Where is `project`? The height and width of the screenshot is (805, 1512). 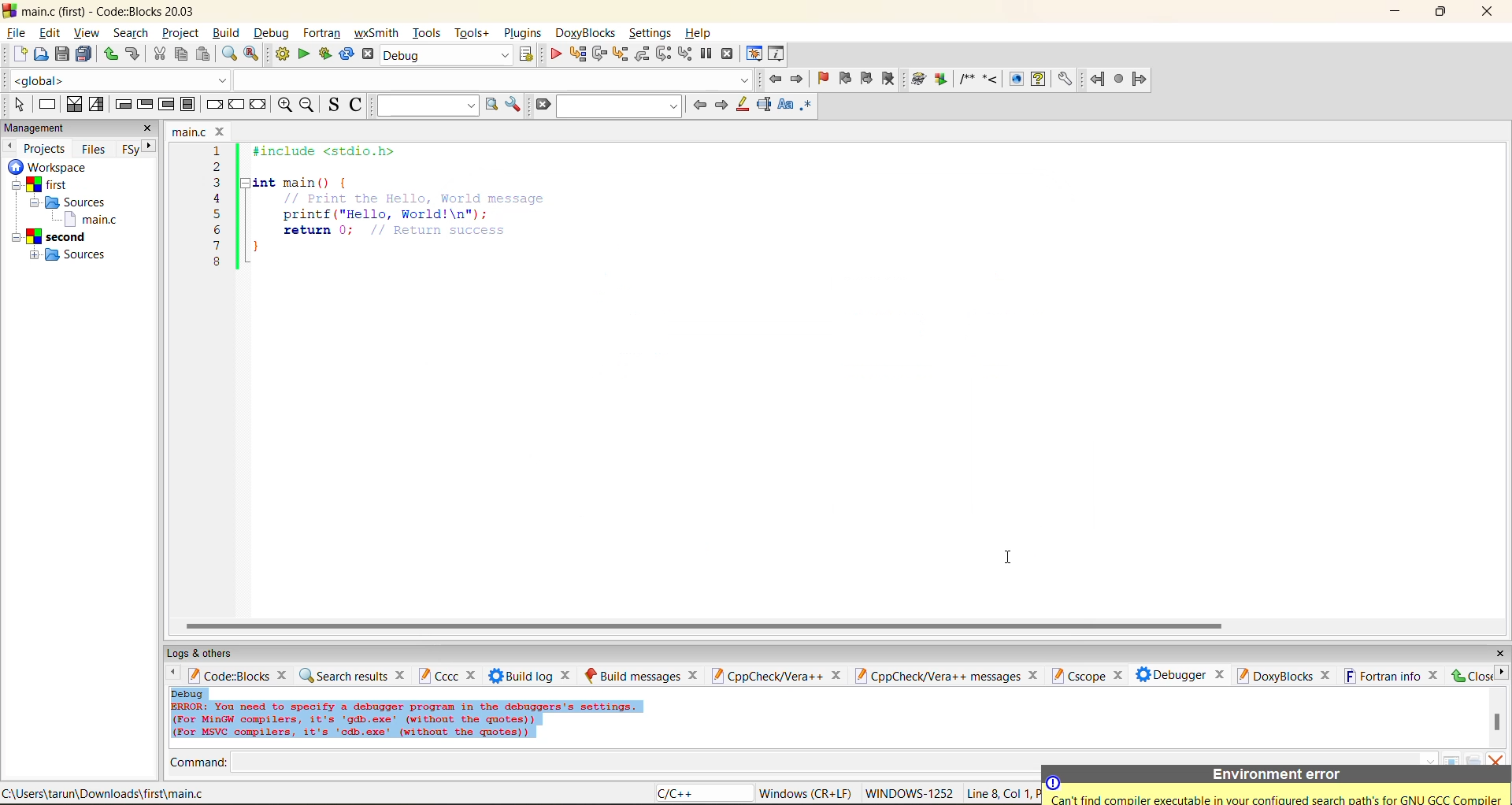
project is located at coordinates (180, 32).